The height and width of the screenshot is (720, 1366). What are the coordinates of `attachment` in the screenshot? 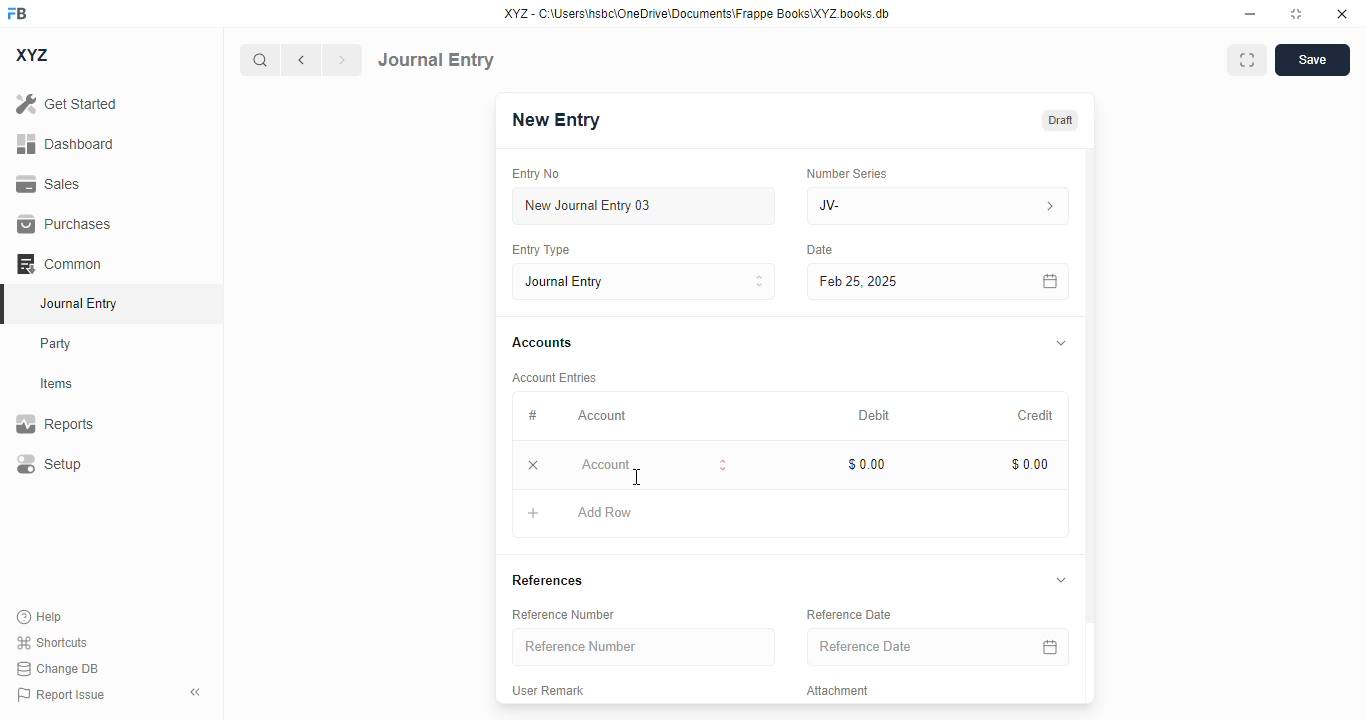 It's located at (838, 690).